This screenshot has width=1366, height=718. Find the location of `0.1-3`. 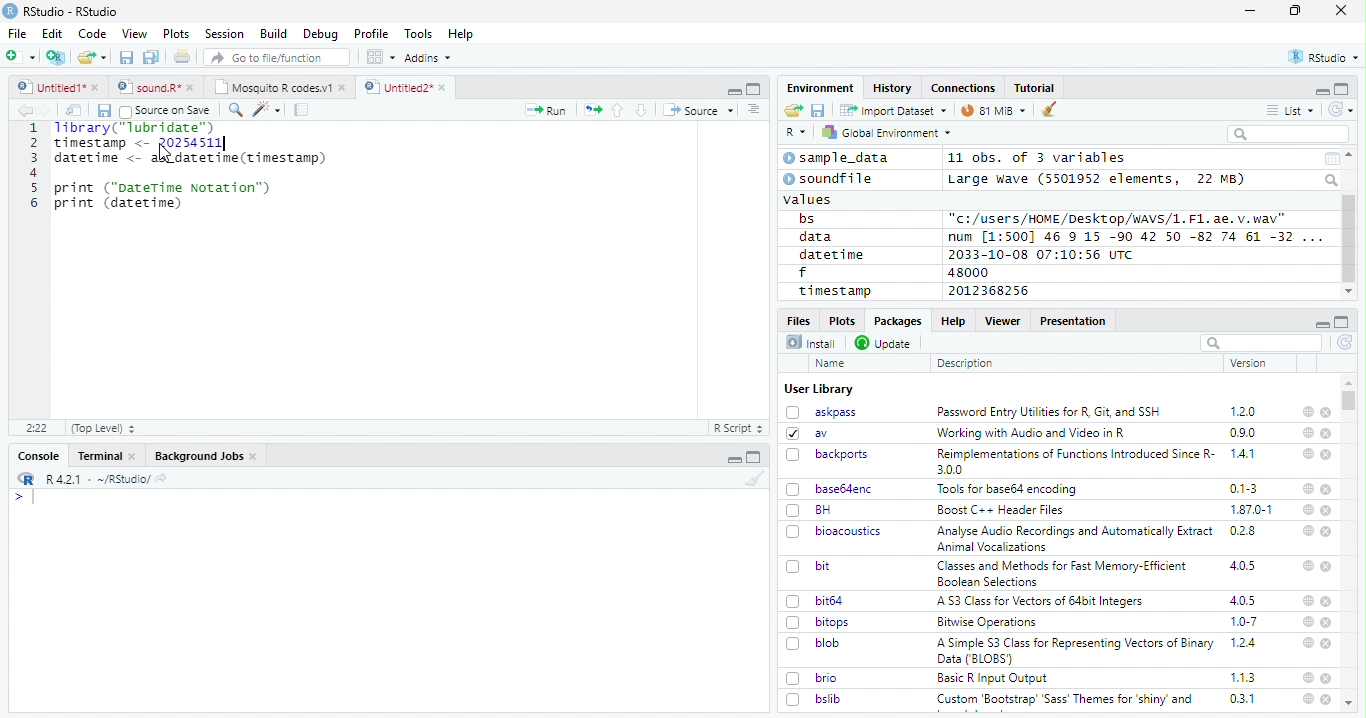

0.1-3 is located at coordinates (1247, 488).